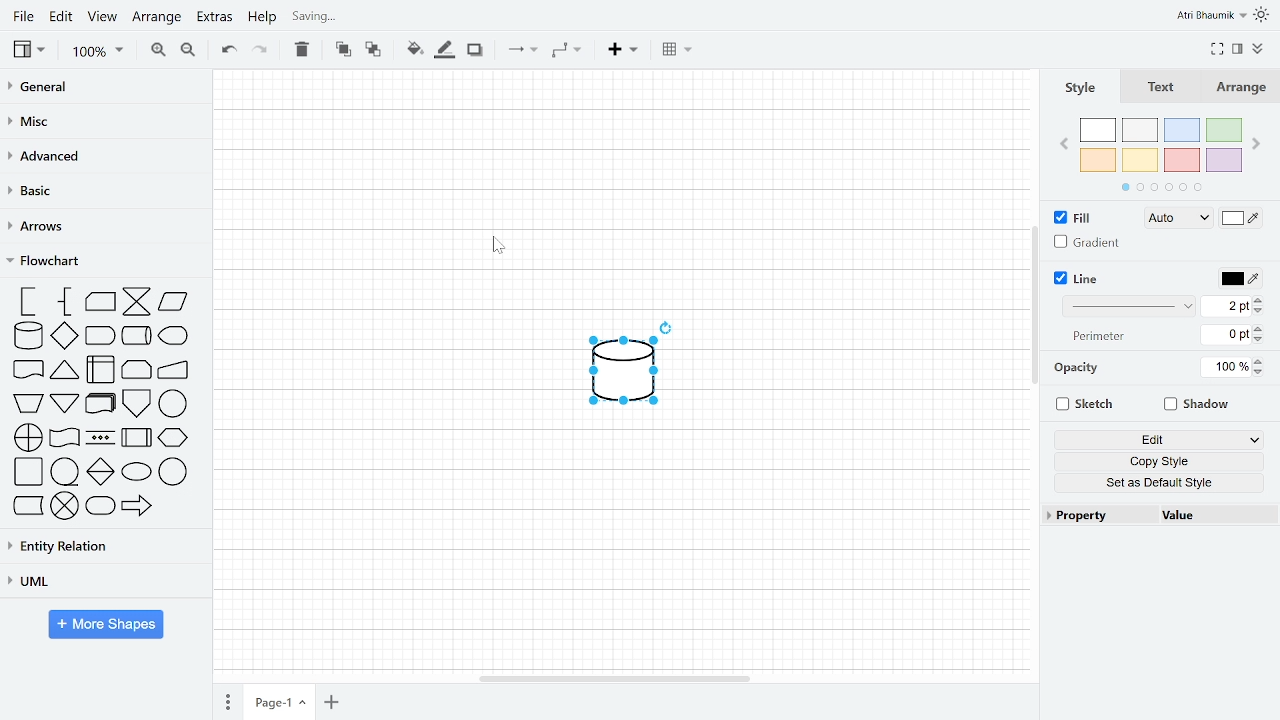 The width and height of the screenshot is (1280, 720). What do you see at coordinates (100, 438) in the screenshot?
I see `parallel mode` at bounding box center [100, 438].